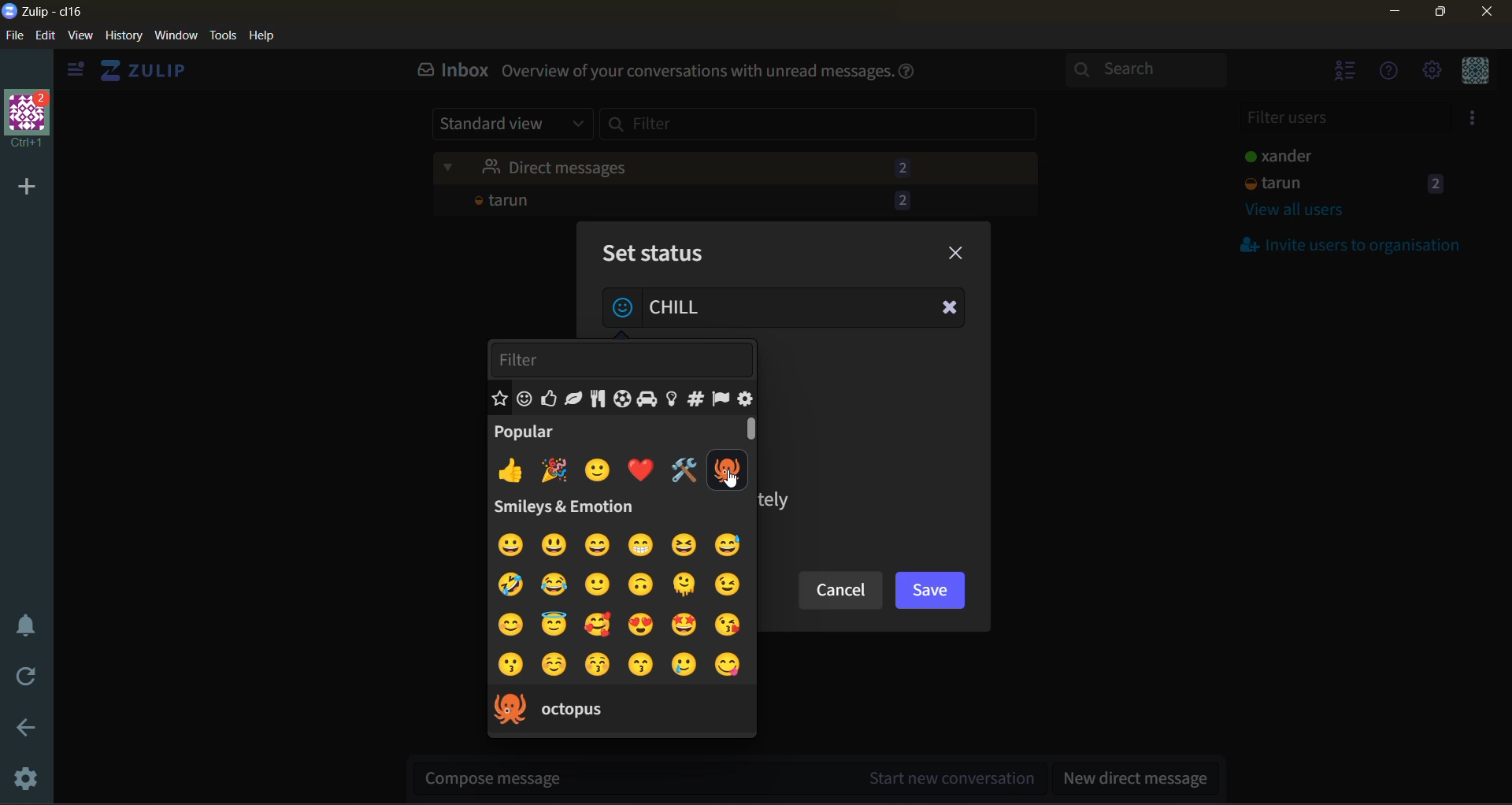  What do you see at coordinates (597, 398) in the screenshot?
I see `emoji` at bounding box center [597, 398].